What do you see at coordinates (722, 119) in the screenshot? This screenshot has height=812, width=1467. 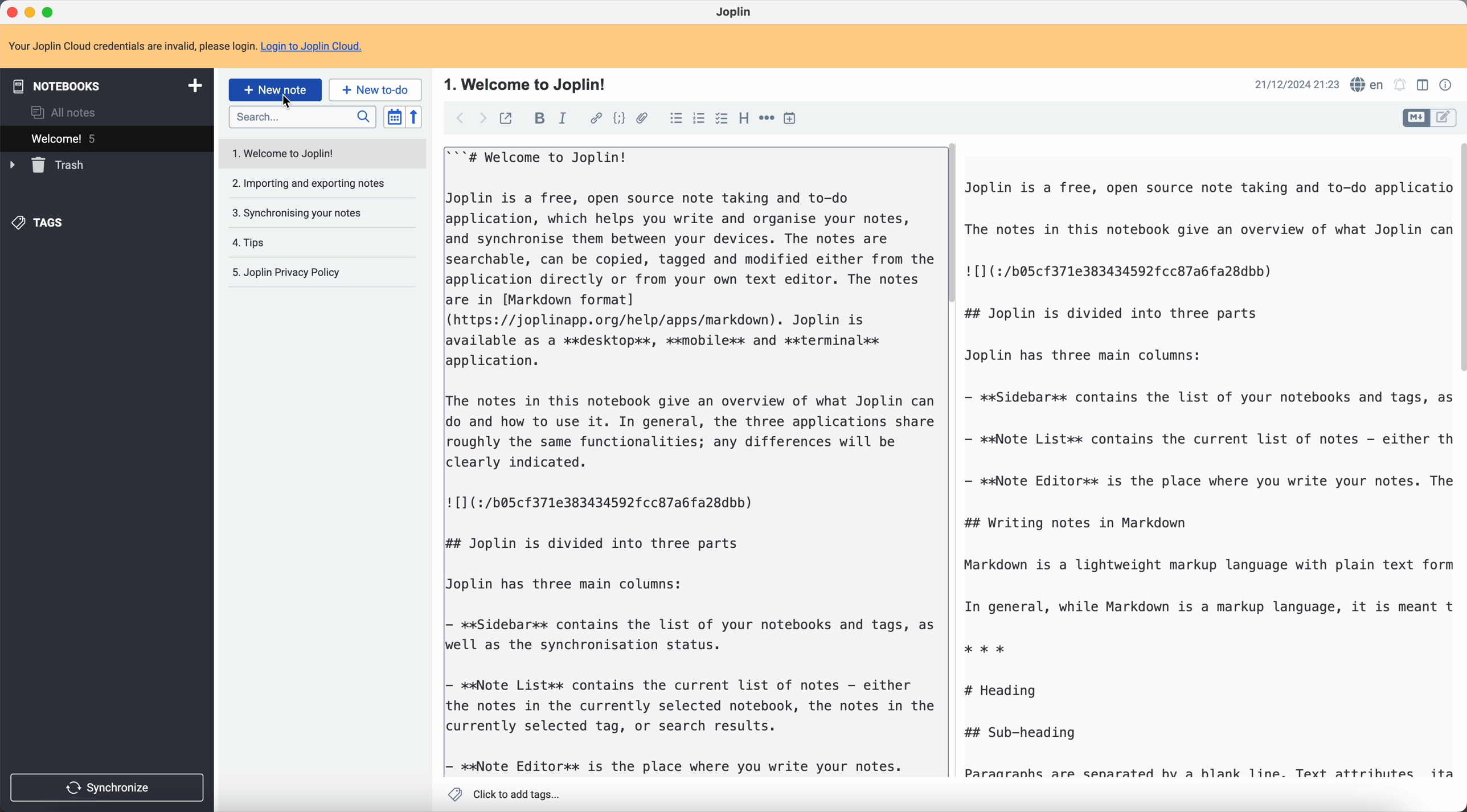 I see `check list` at bounding box center [722, 119].